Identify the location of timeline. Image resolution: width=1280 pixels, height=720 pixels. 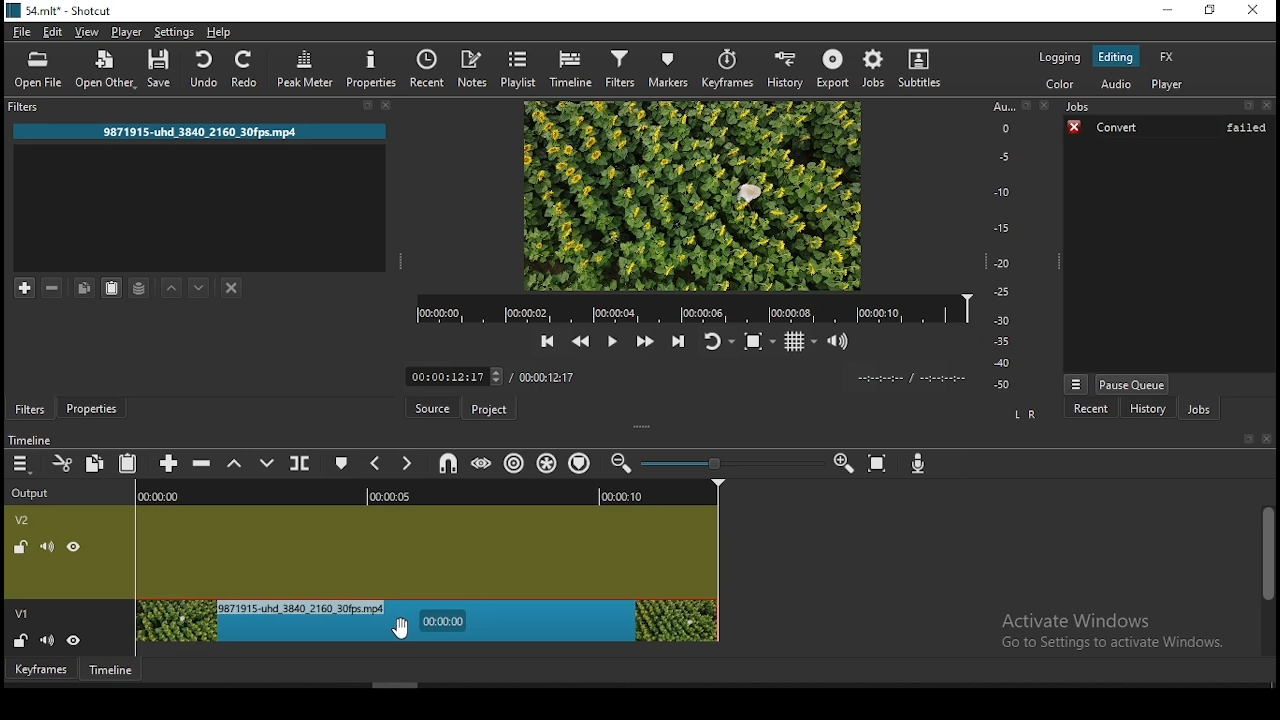
(573, 70).